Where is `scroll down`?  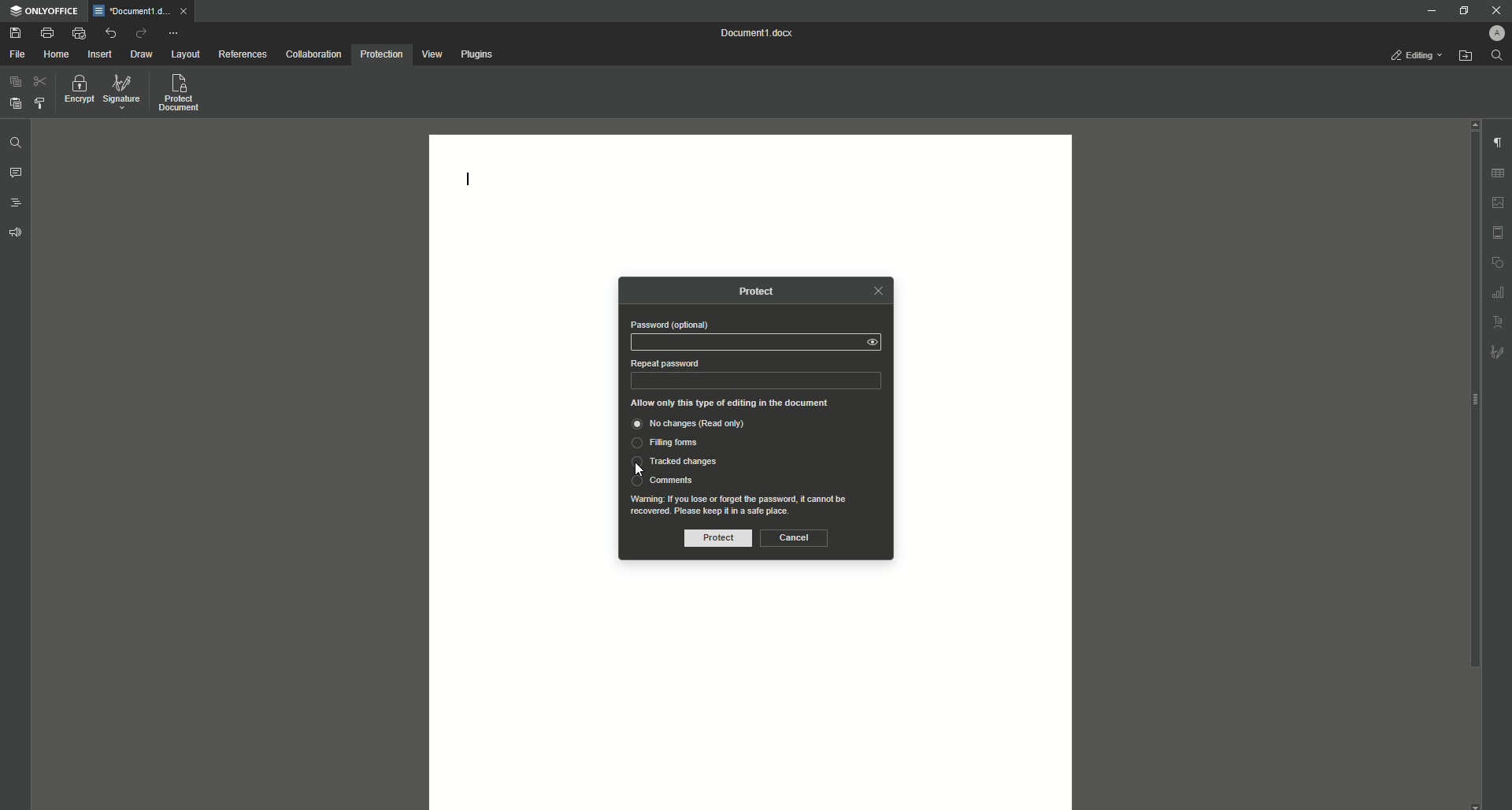
scroll down is located at coordinates (1473, 804).